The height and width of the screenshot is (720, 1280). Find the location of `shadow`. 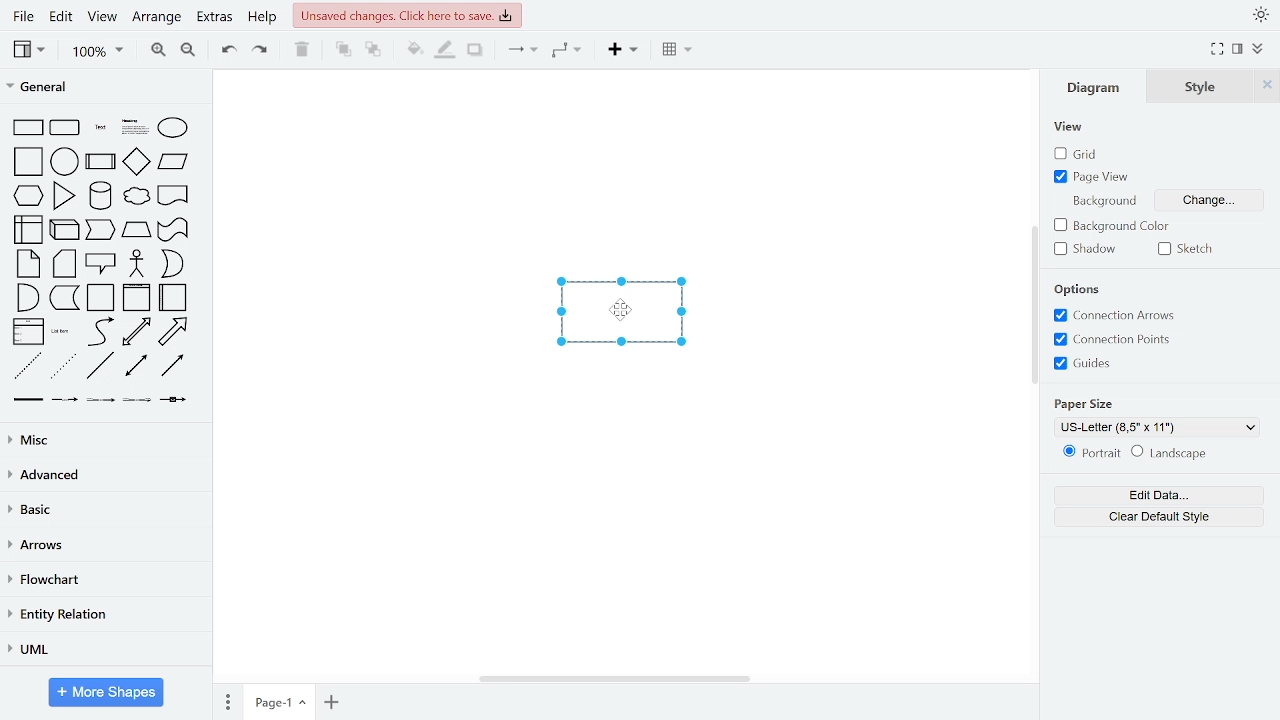

shadow is located at coordinates (1082, 250).